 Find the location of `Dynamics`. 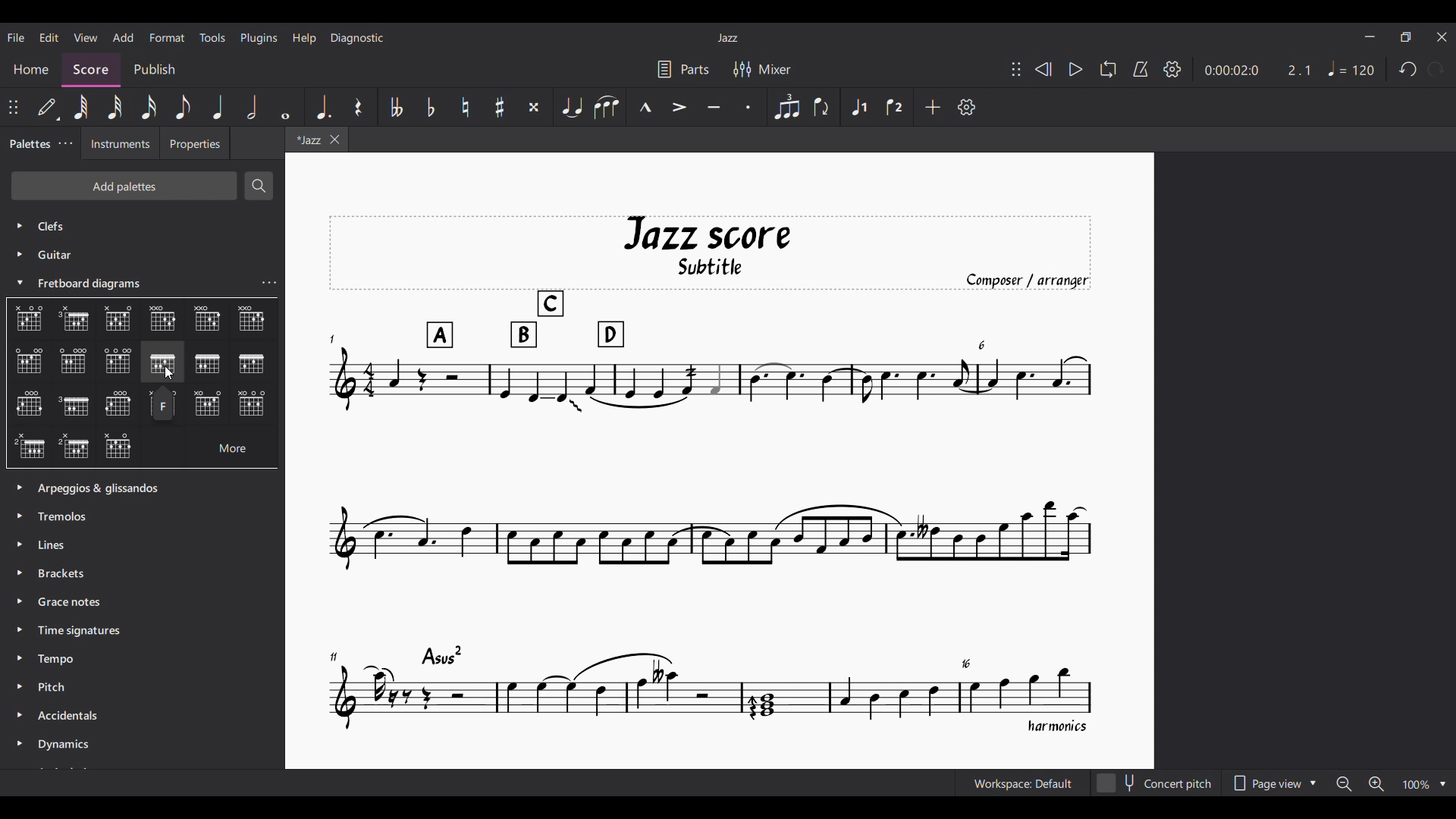

Dynamics is located at coordinates (86, 745).